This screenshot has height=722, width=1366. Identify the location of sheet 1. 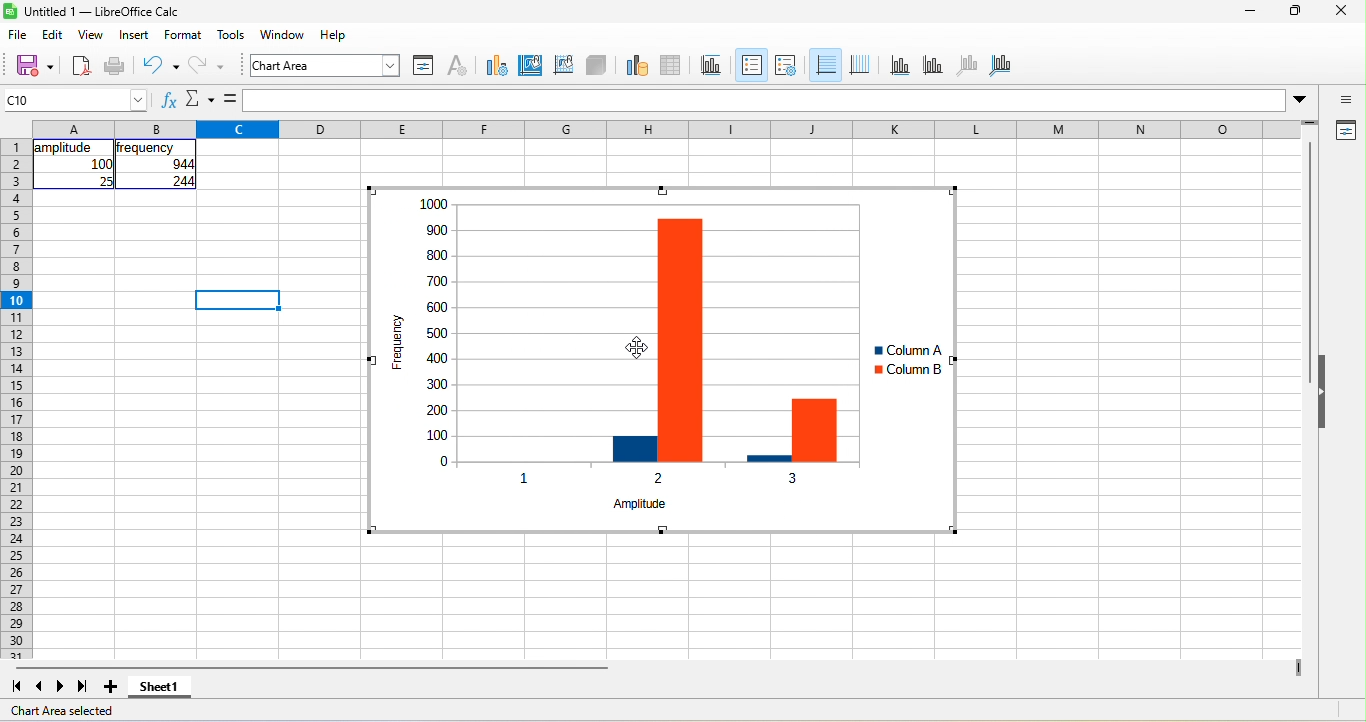
(160, 687).